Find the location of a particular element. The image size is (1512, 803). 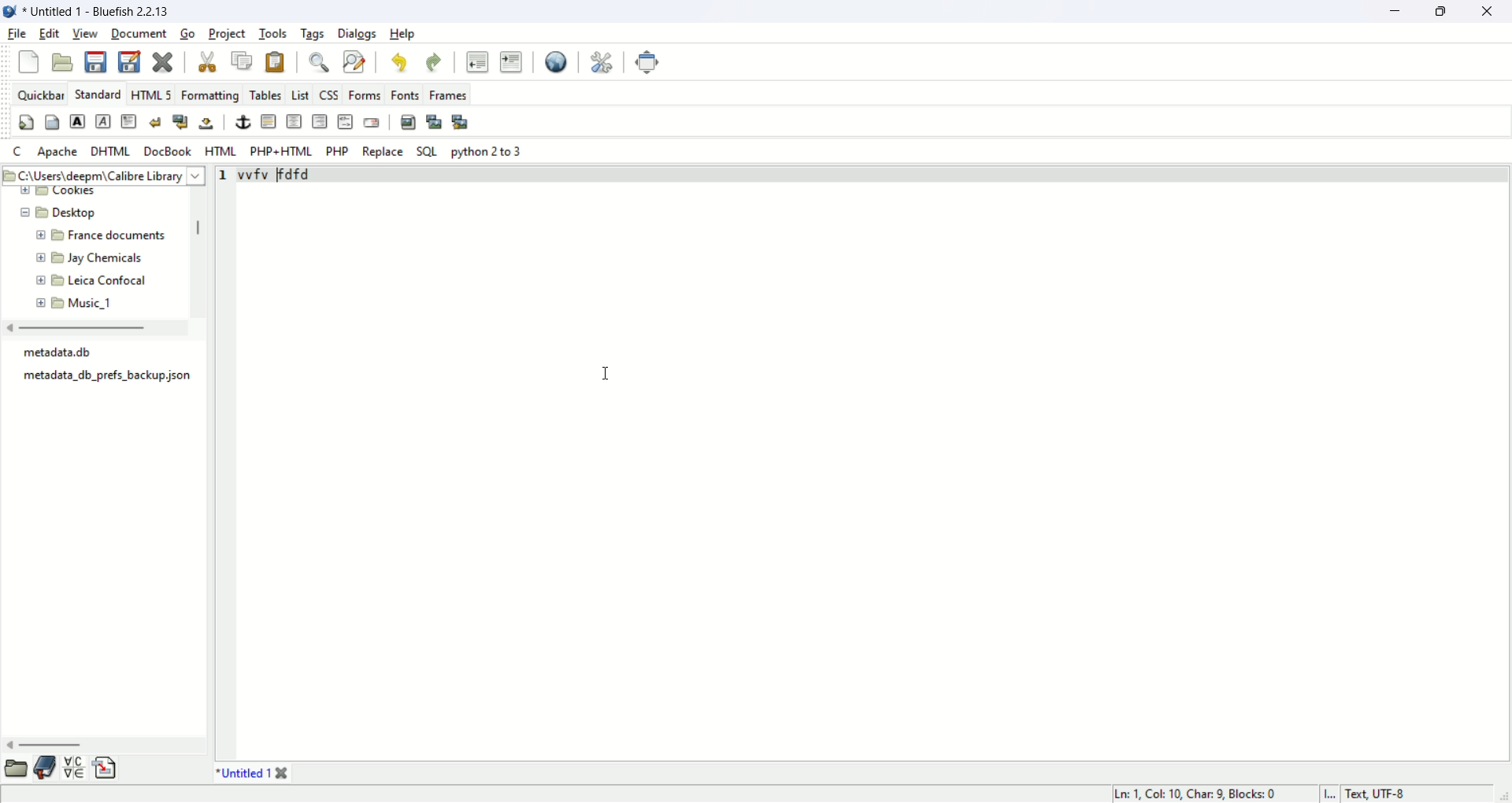

multi thumbnail is located at coordinates (462, 121).